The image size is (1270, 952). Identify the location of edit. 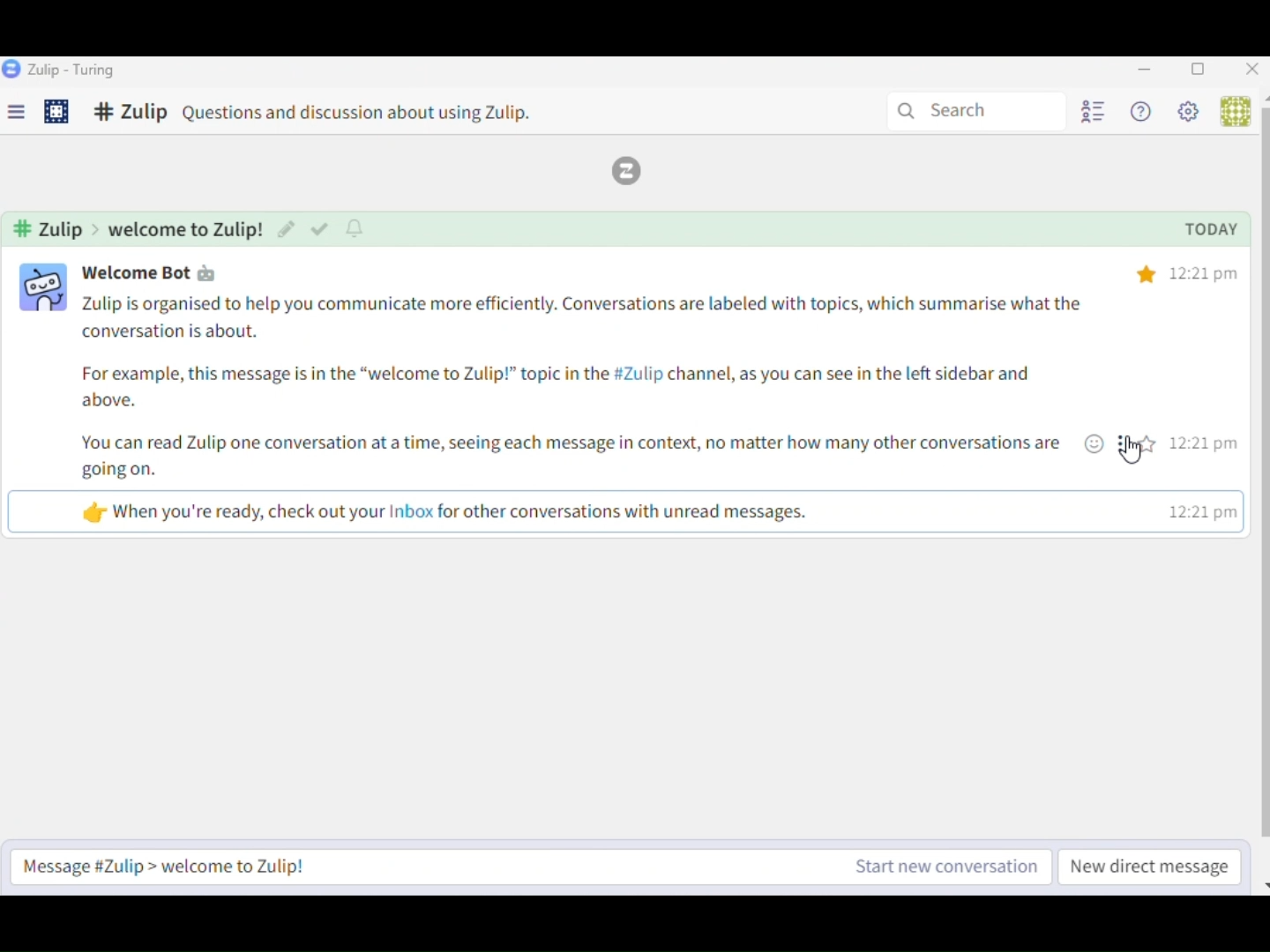
(285, 228).